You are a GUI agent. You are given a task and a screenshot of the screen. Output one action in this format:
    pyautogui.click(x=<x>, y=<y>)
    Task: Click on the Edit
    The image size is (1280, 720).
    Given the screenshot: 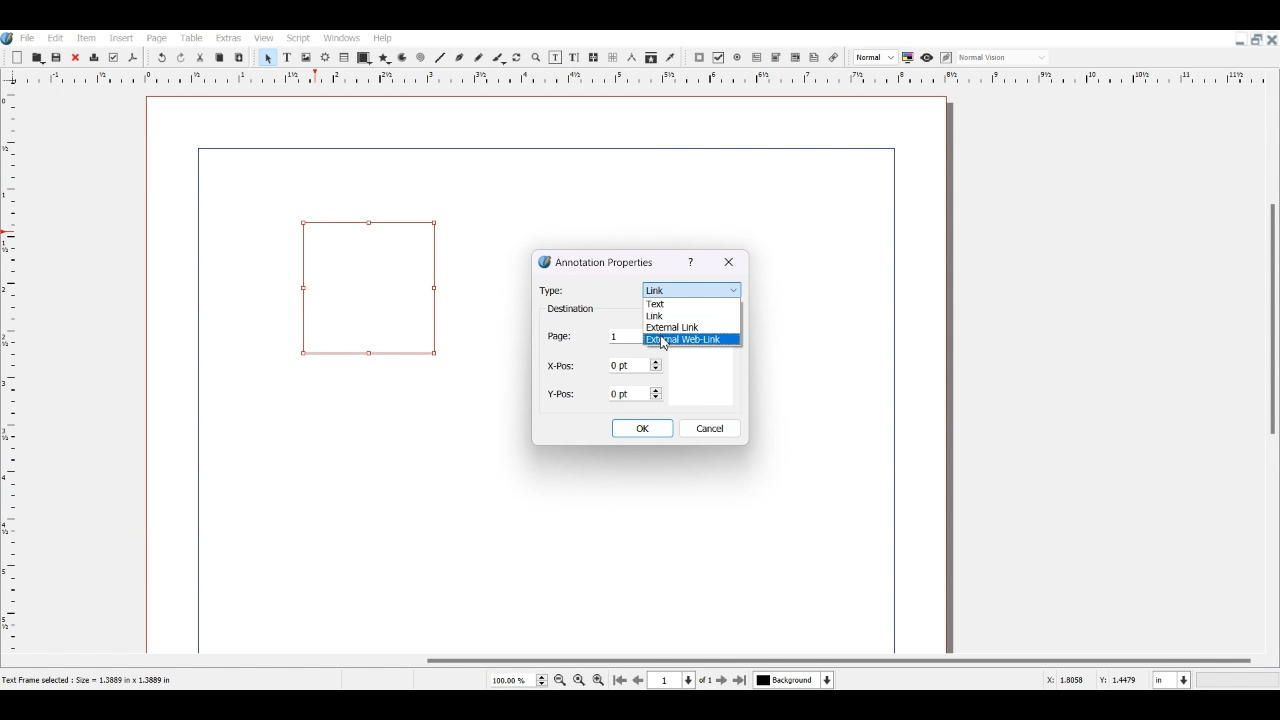 What is the action you would take?
    pyautogui.click(x=54, y=37)
    